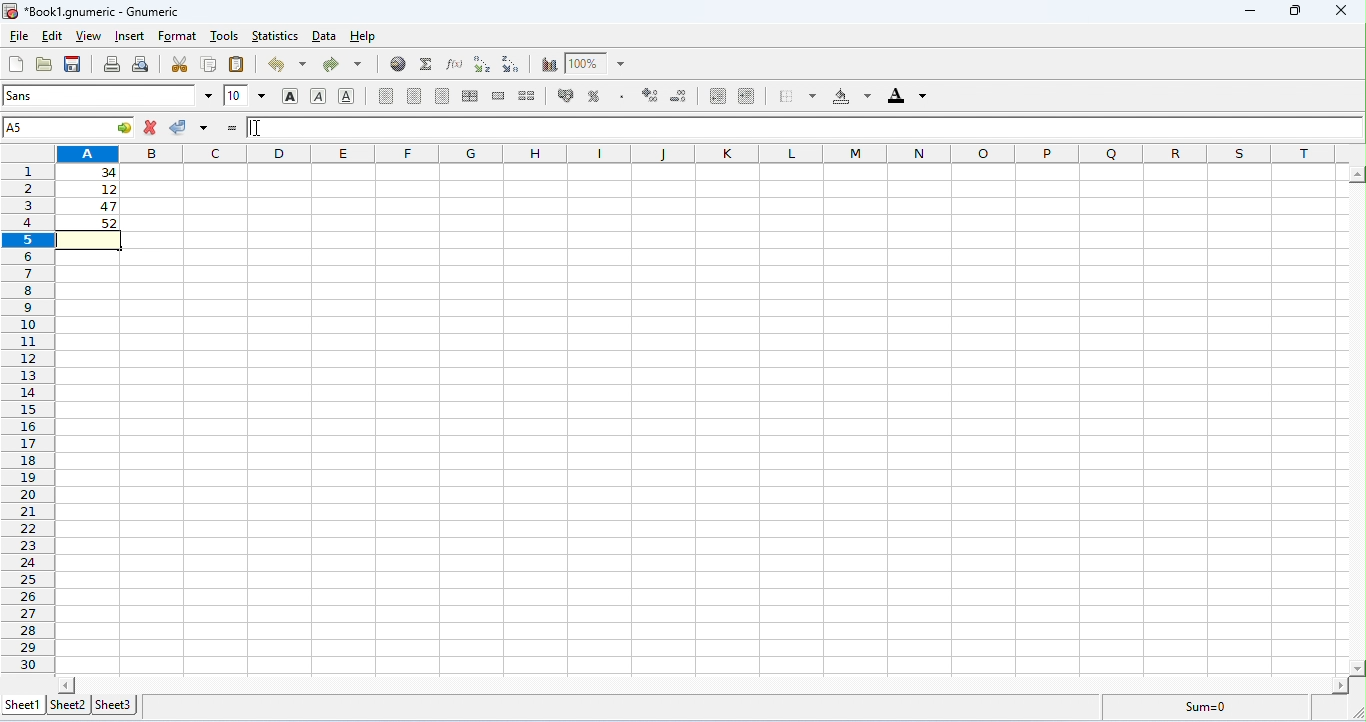 The width and height of the screenshot is (1366, 722). I want to click on tools, so click(225, 35).